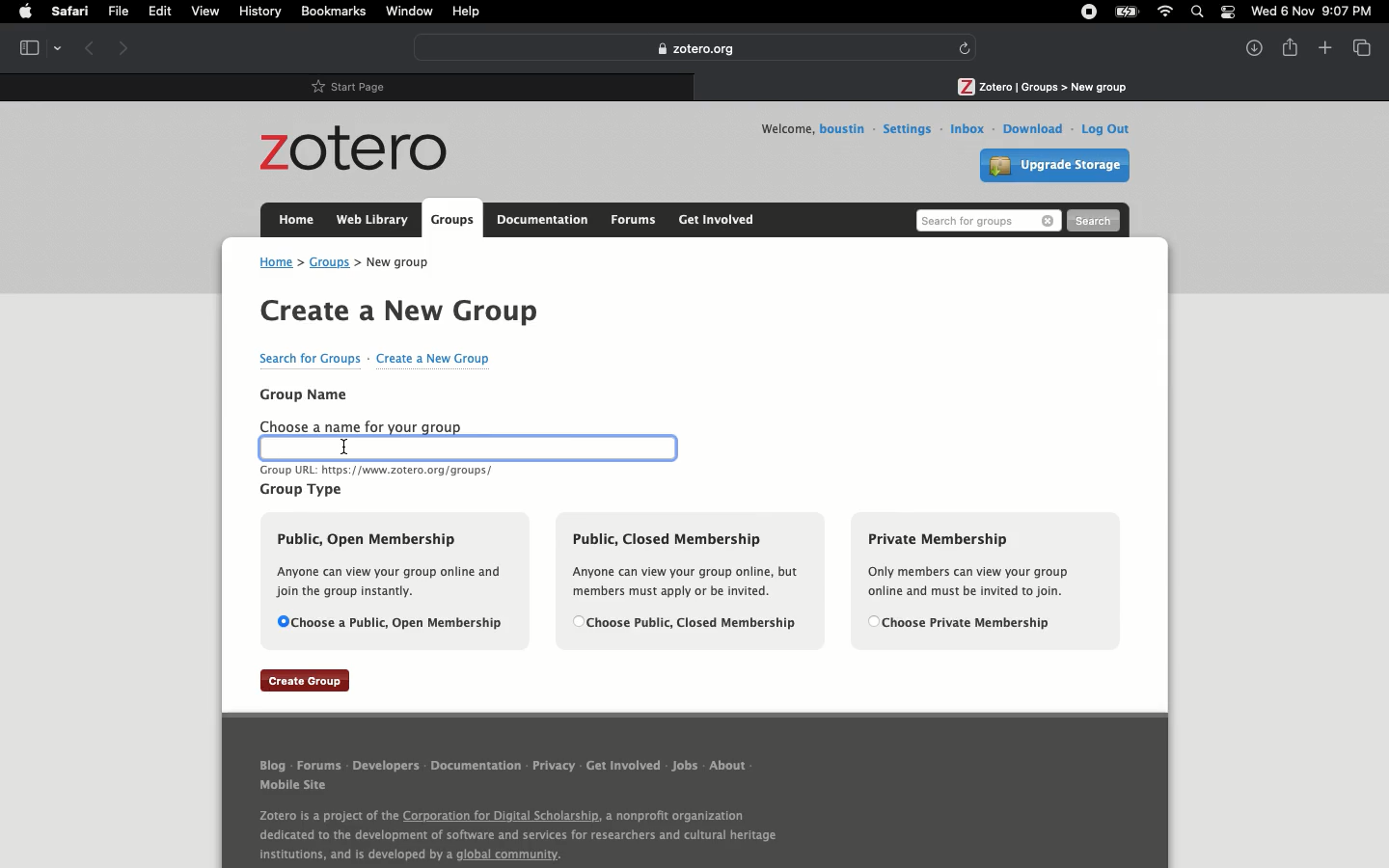 This screenshot has width=1389, height=868. What do you see at coordinates (1163, 13) in the screenshot?
I see `Internet` at bounding box center [1163, 13].